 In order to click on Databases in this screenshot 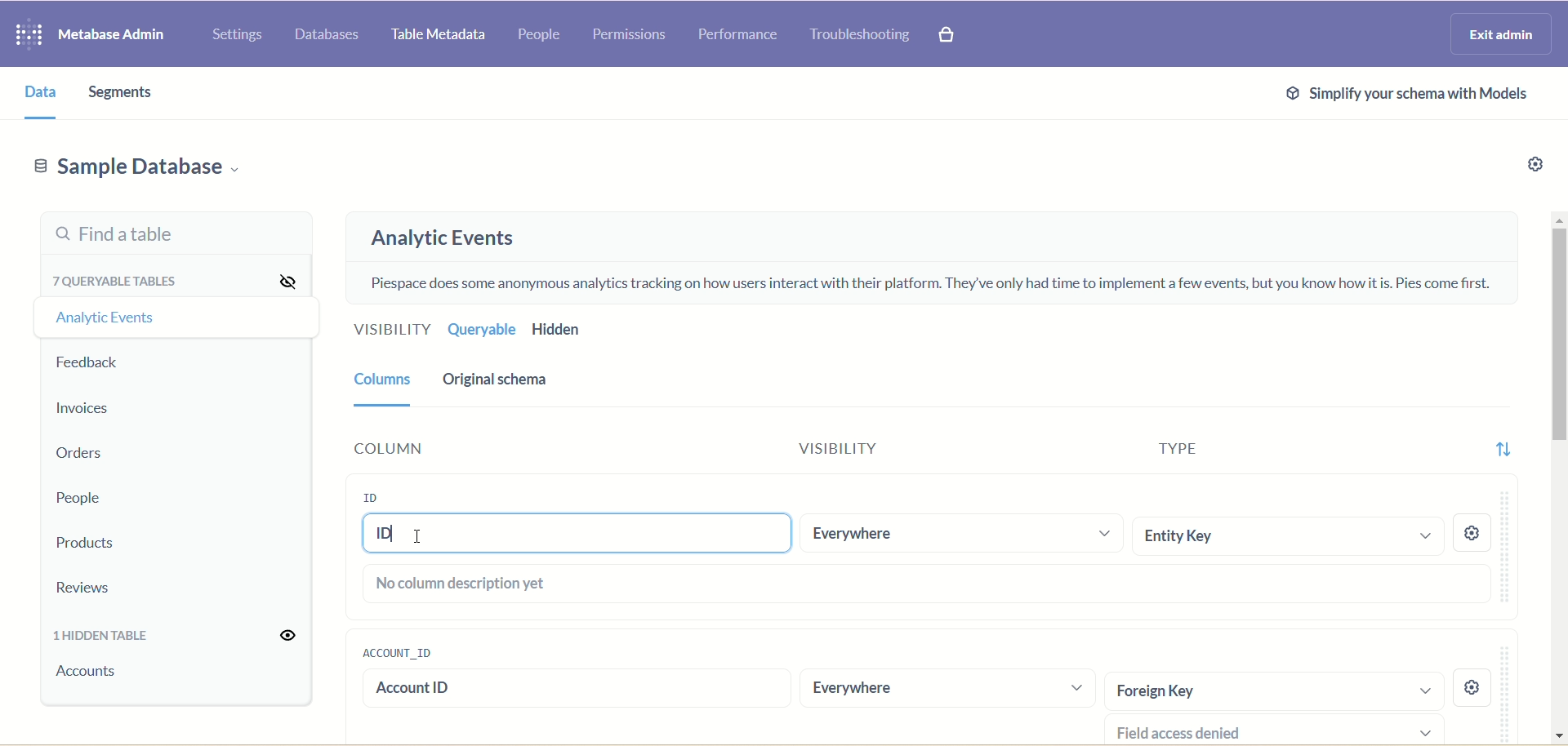, I will do `click(327, 38)`.